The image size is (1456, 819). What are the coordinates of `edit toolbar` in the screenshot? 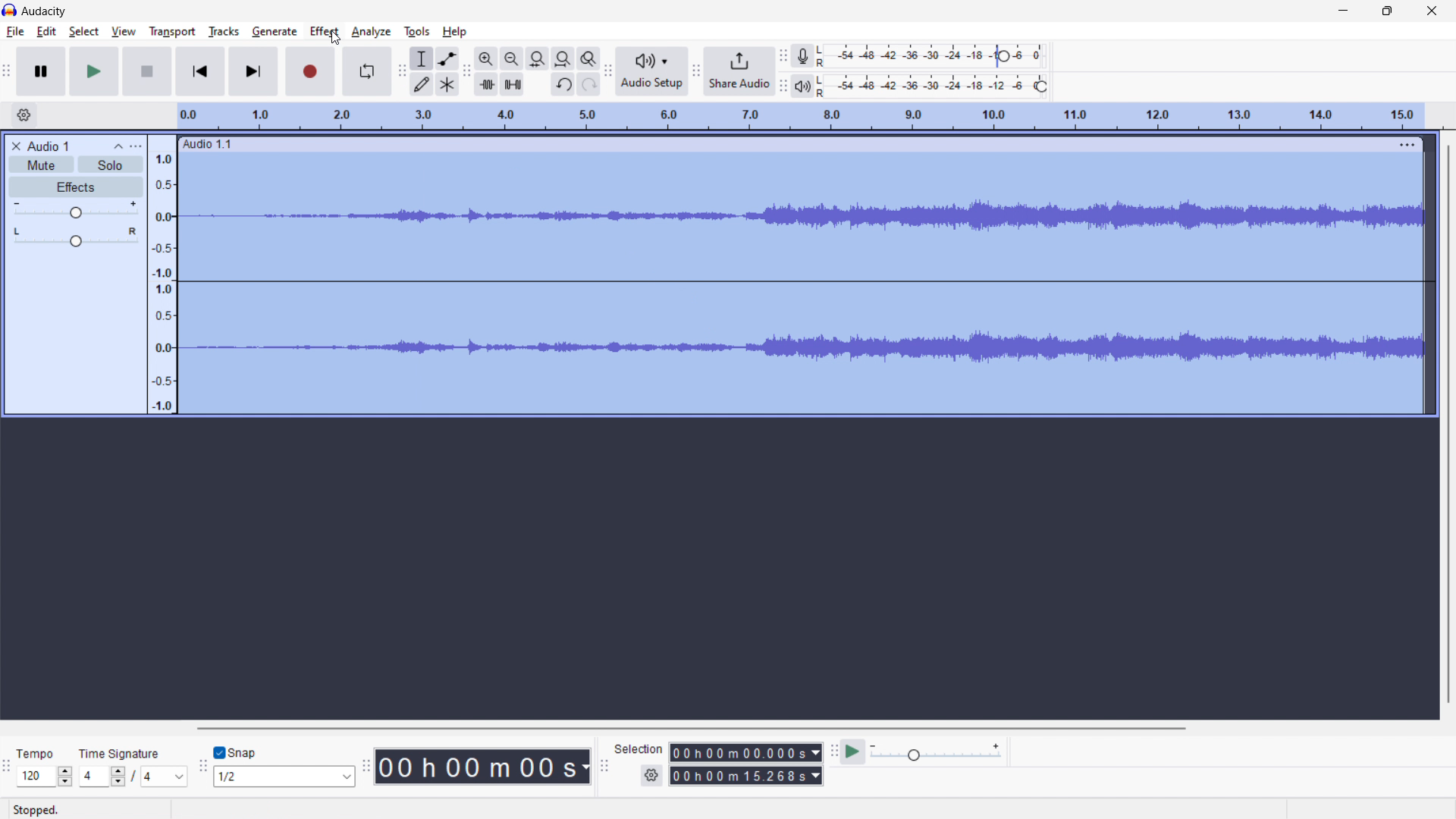 It's located at (466, 71).